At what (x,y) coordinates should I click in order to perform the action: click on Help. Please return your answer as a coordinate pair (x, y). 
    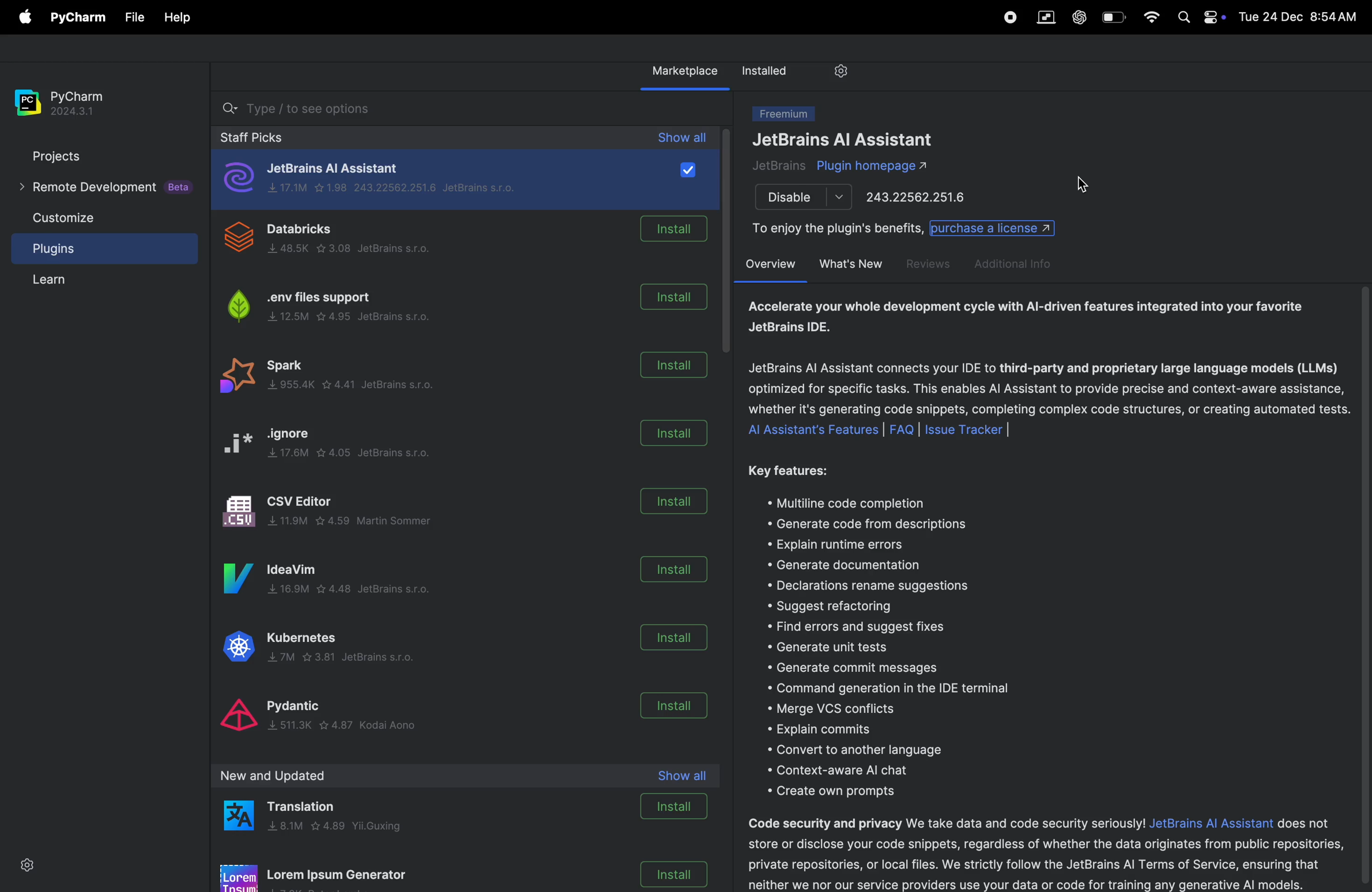
    Looking at the image, I should click on (178, 18).